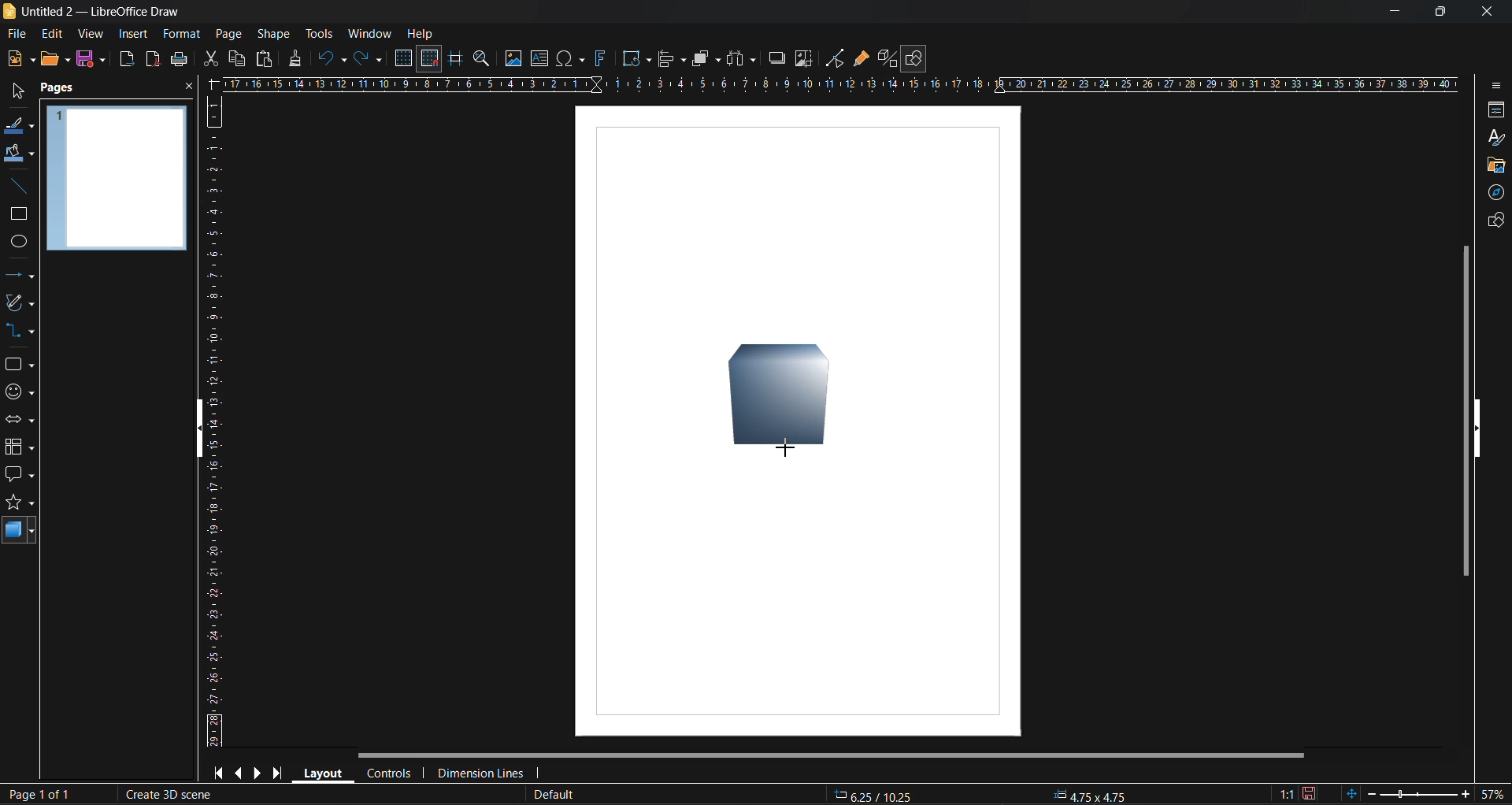 This screenshot has height=805, width=1512. Describe the element at coordinates (1498, 195) in the screenshot. I see `navigator` at that location.